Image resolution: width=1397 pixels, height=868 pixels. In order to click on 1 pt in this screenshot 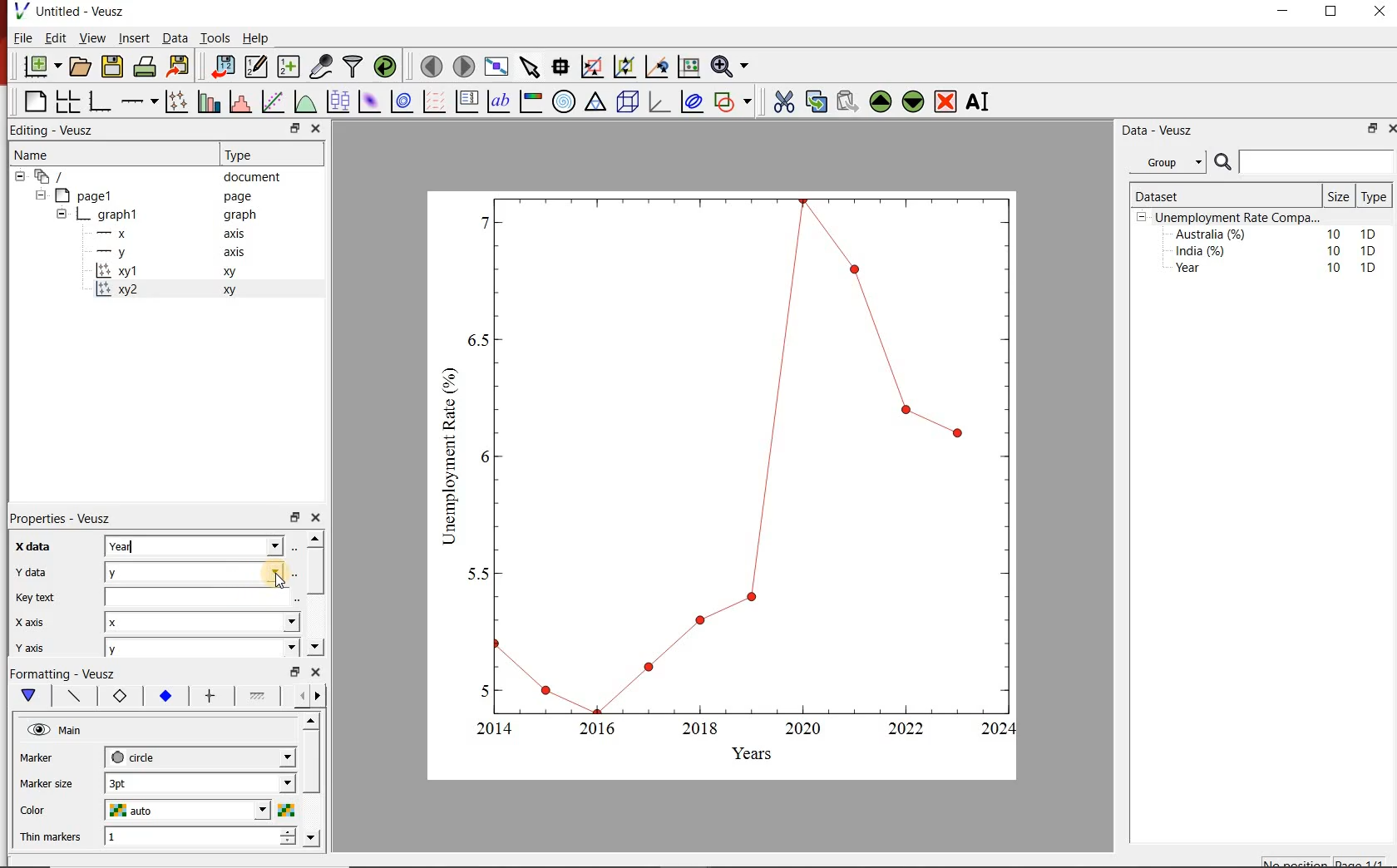, I will do `click(197, 782)`.